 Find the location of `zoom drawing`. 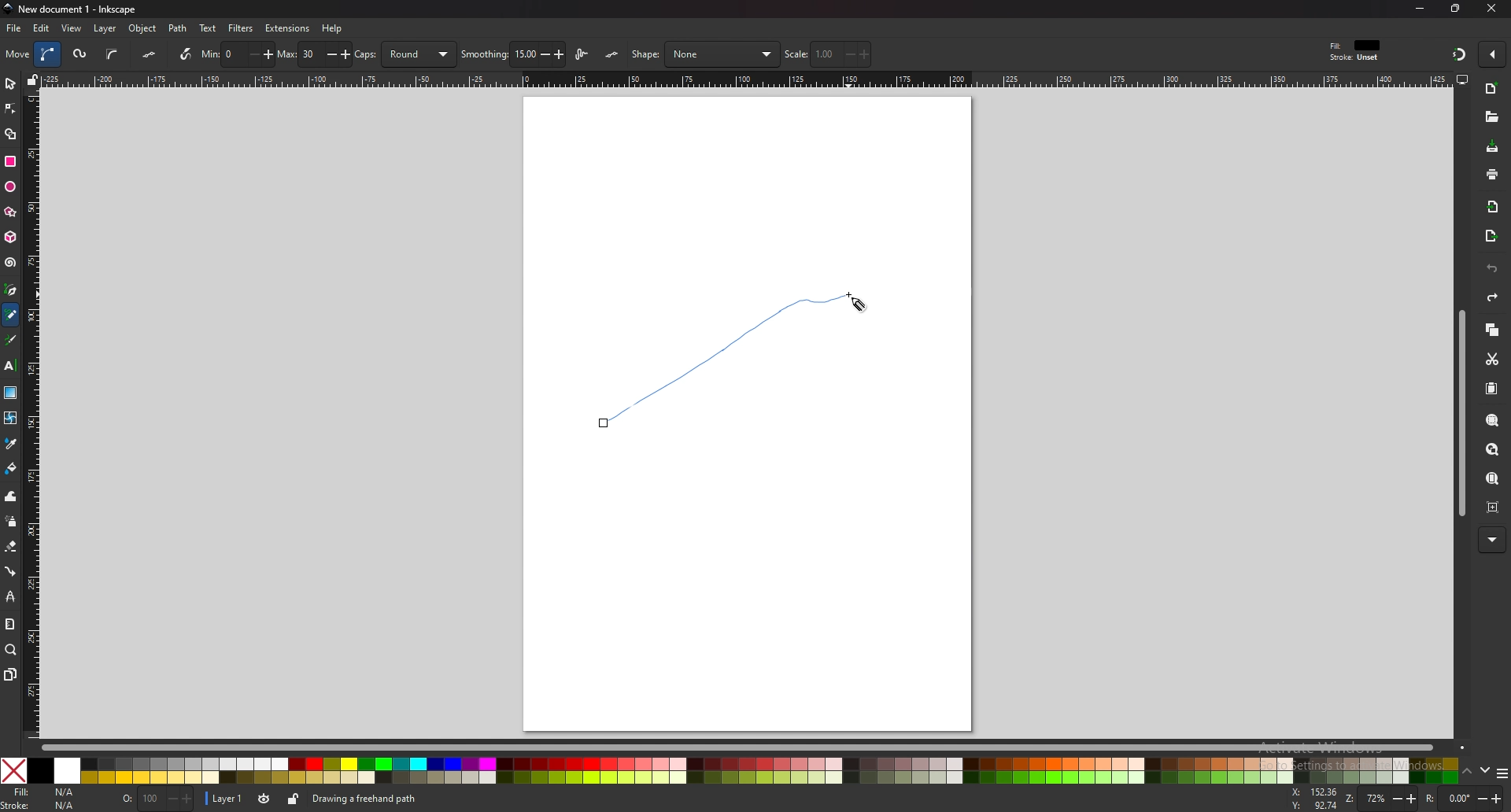

zoom drawing is located at coordinates (1493, 451).